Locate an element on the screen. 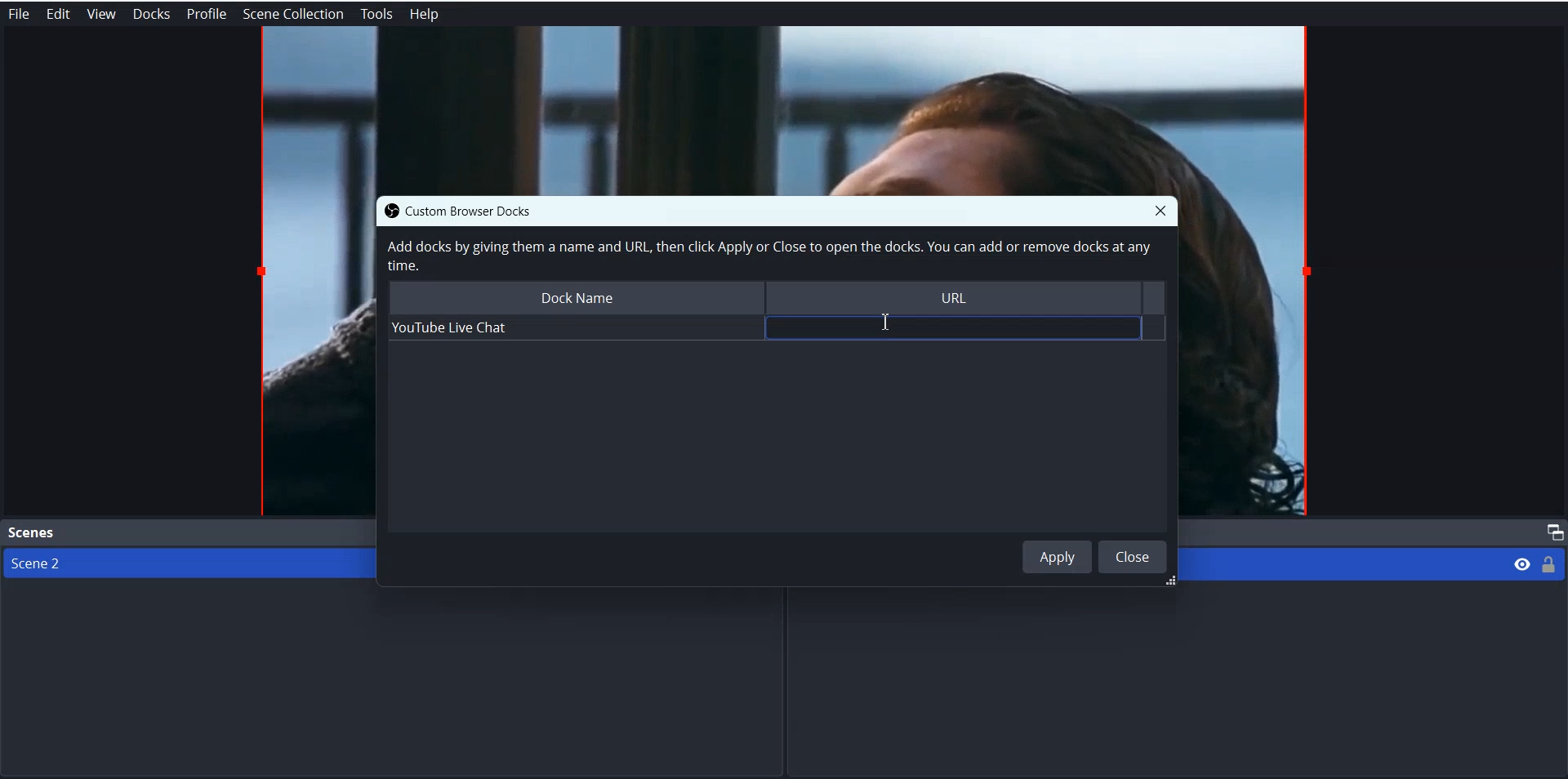  File Preview window is located at coordinates (784, 109).